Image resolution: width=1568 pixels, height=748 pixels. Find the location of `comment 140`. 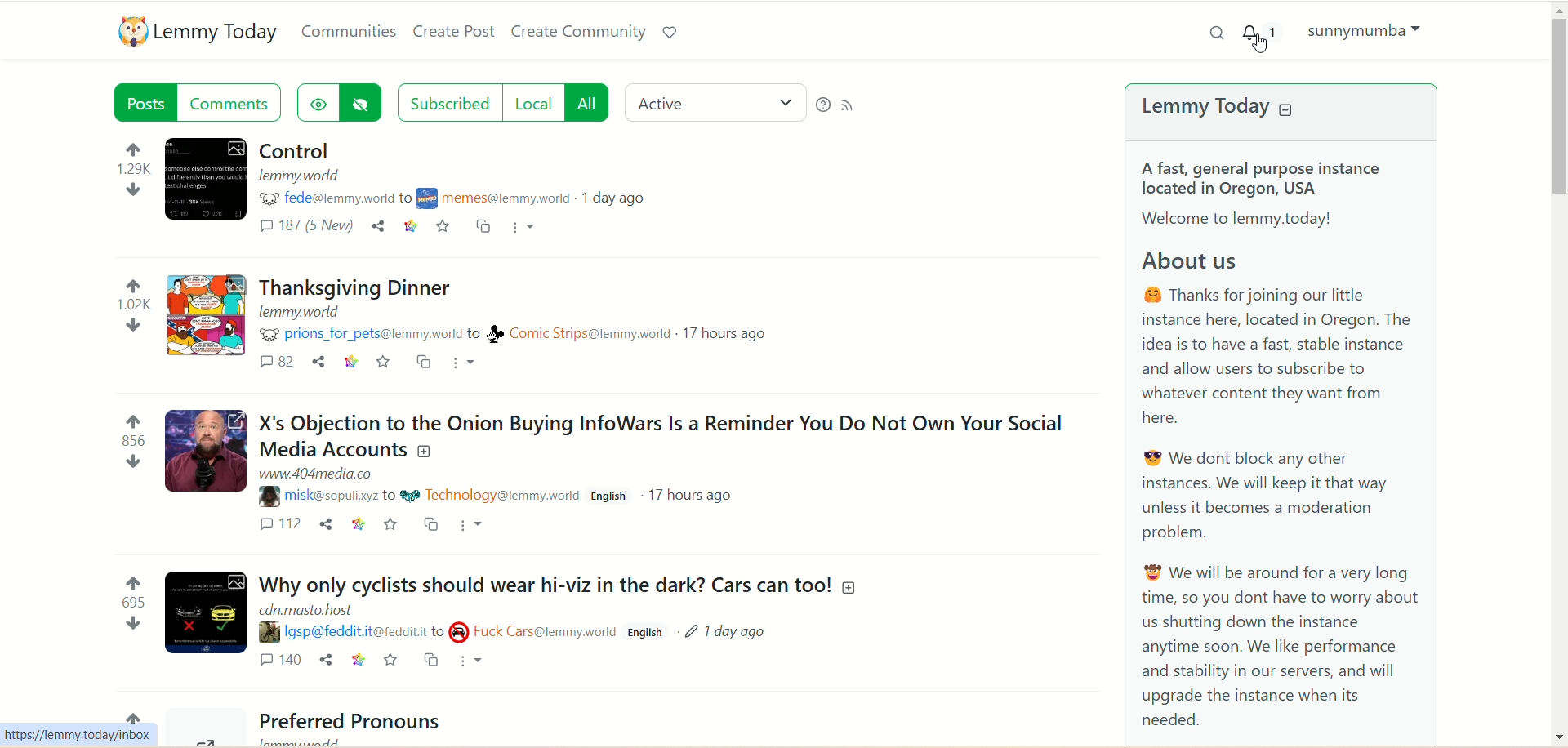

comment 140 is located at coordinates (274, 662).